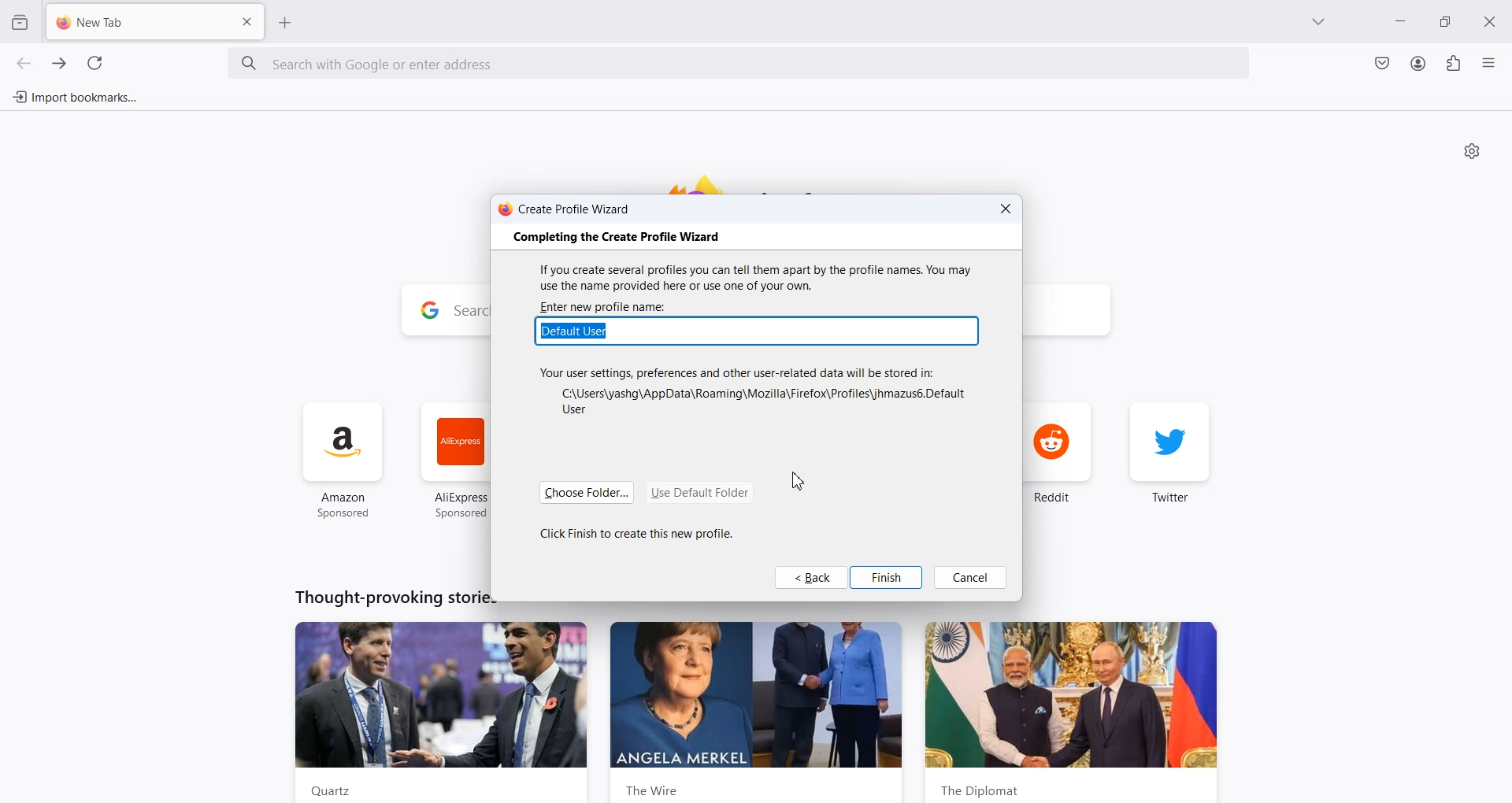 The height and width of the screenshot is (803, 1512). I want to click on Close, so click(1006, 208).